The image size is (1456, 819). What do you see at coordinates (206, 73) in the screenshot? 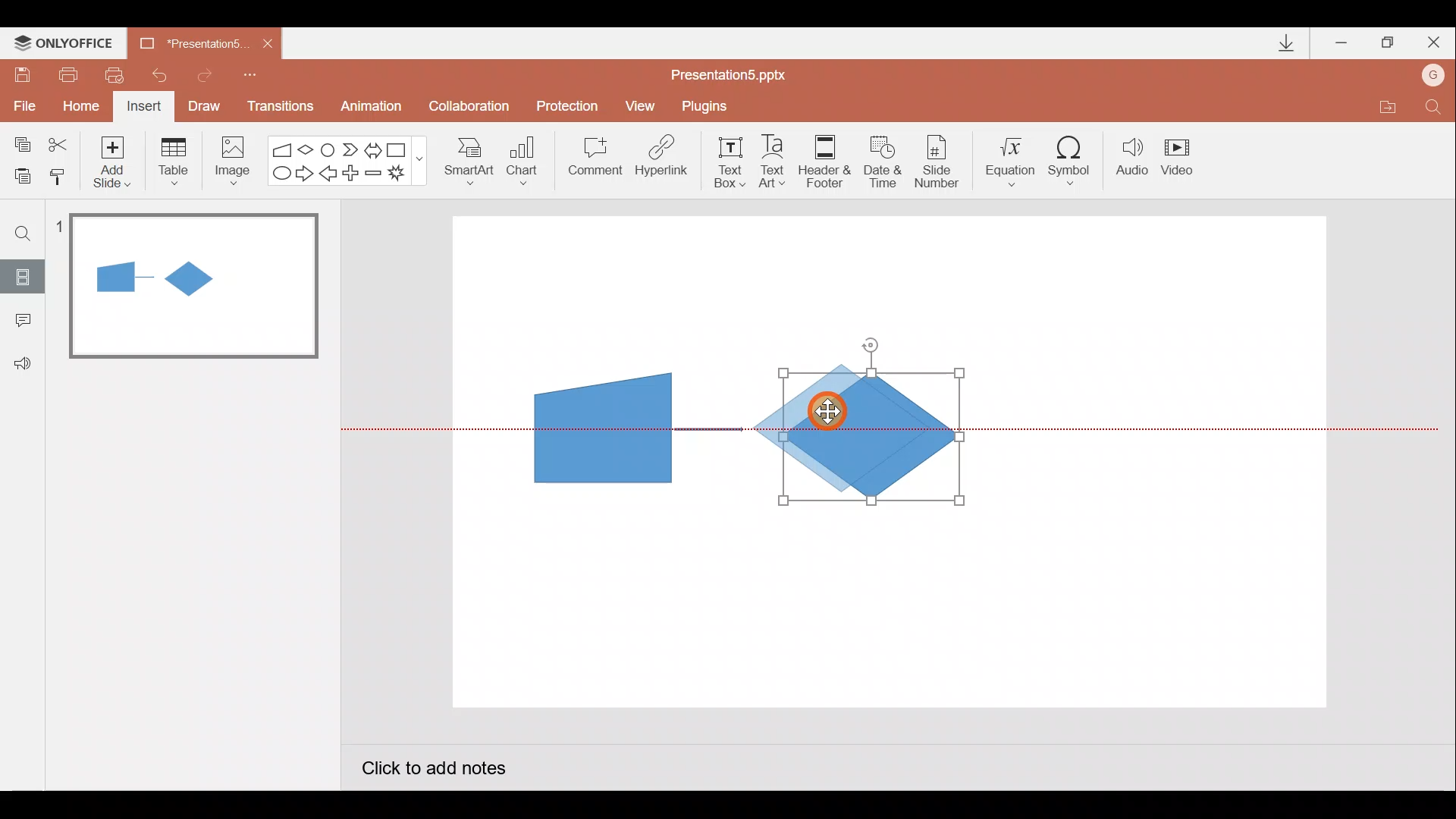
I see `Redo` at bounding box center [206, 73].